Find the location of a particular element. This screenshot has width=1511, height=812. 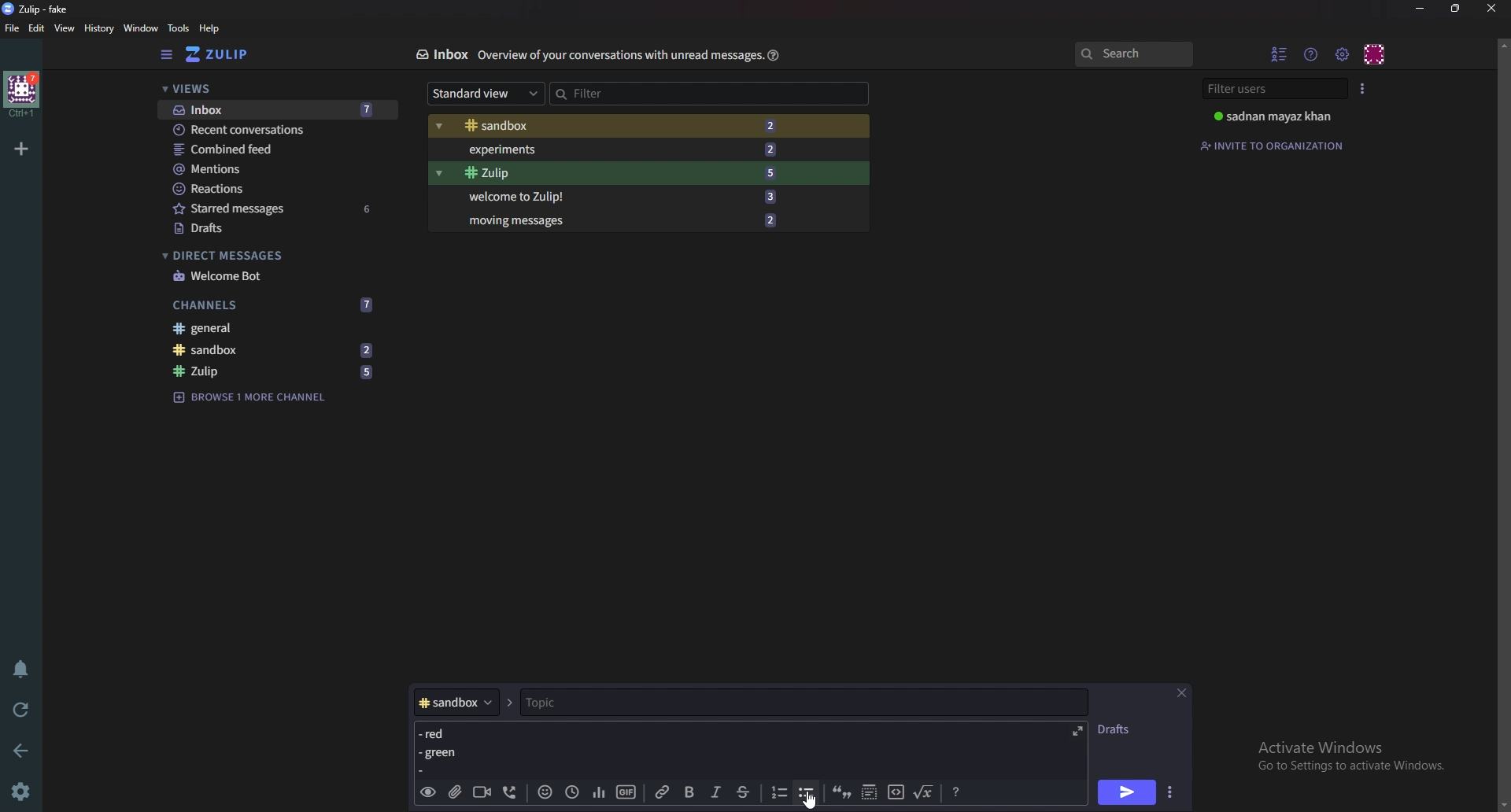

Channel is located at coordinates (457, 703).